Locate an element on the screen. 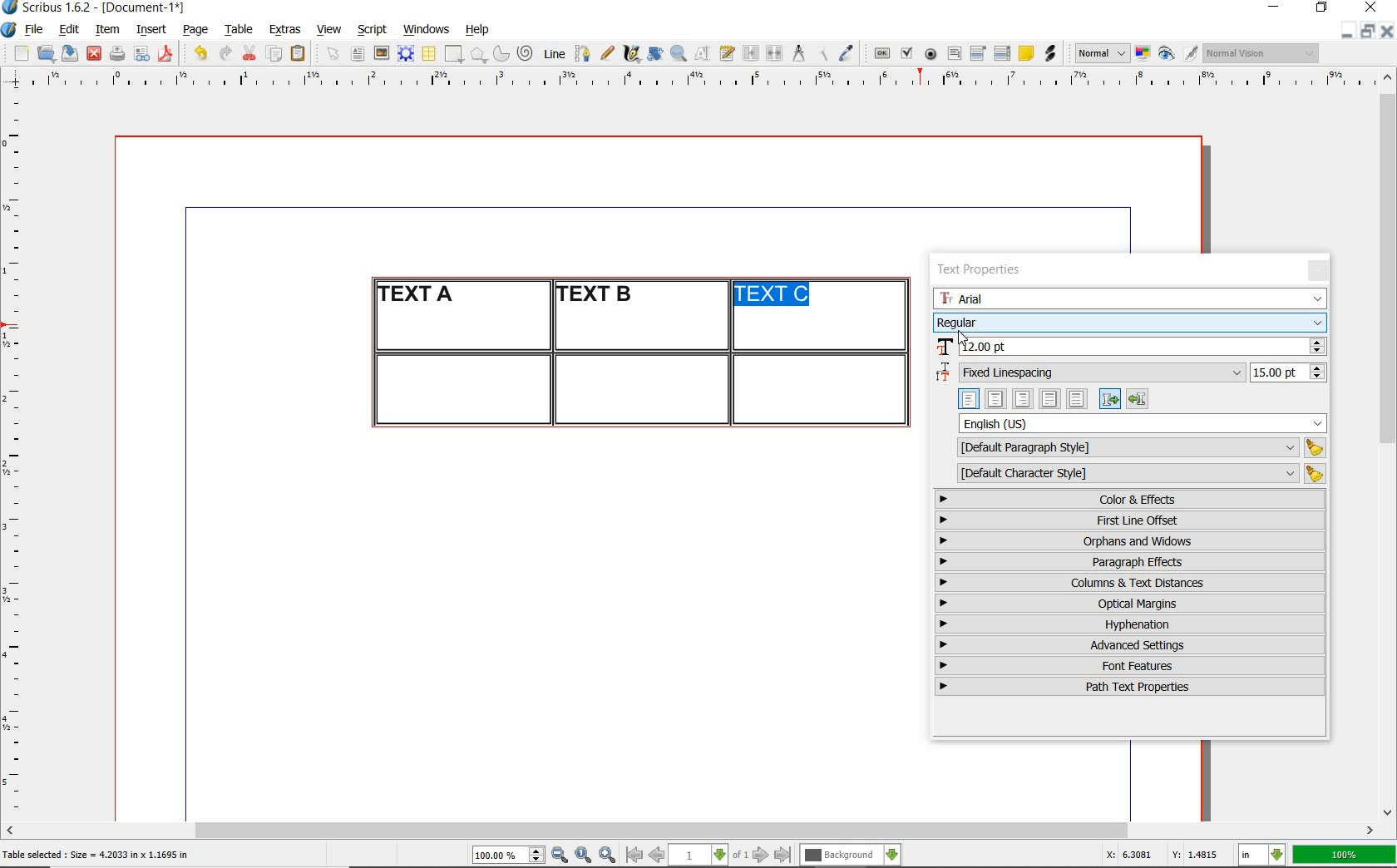  cut is located at coordinates (249, 52).